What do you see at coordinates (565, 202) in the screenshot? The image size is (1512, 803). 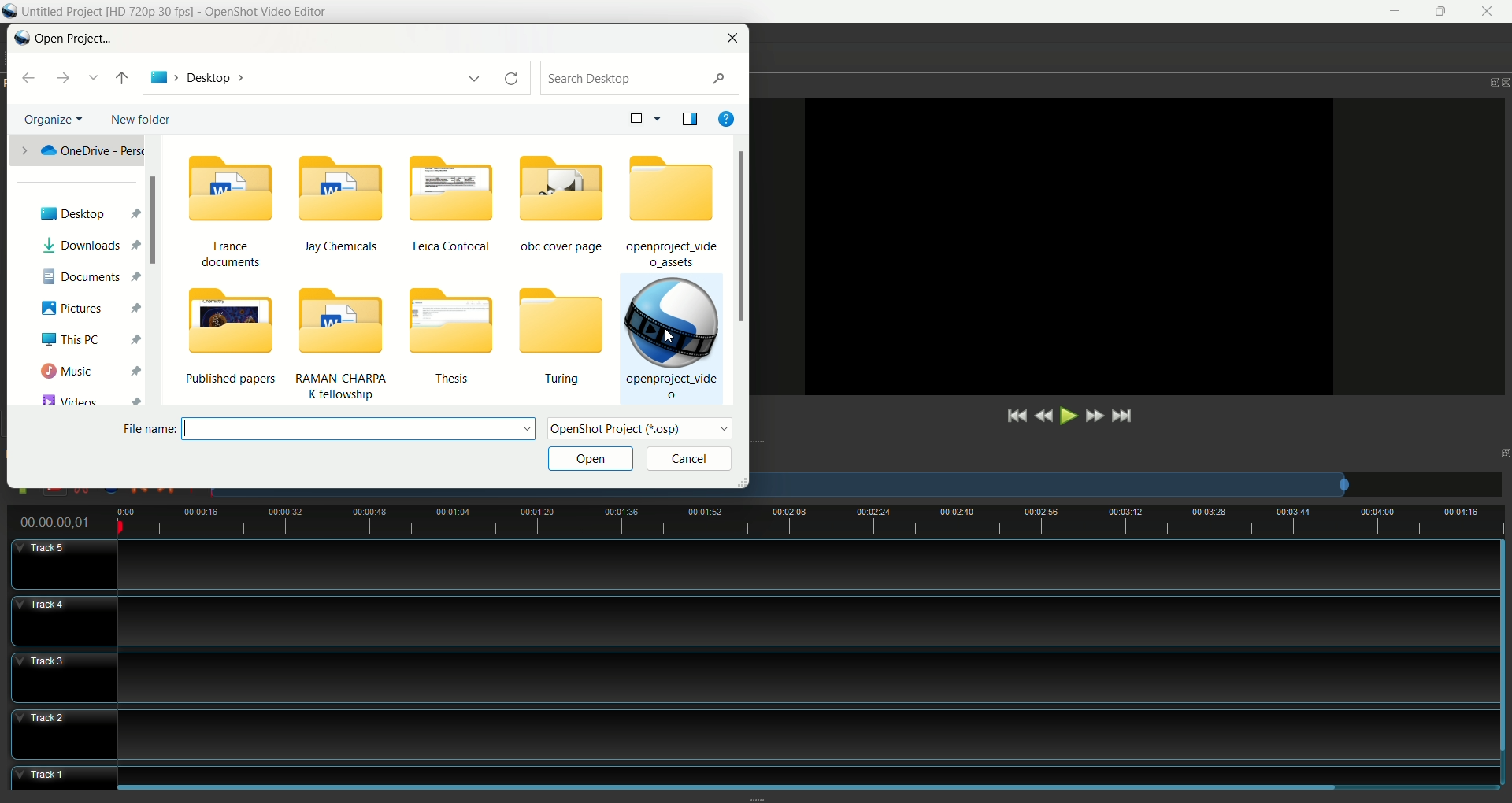 I see `obc cover page` at bounding box center [565, 202].